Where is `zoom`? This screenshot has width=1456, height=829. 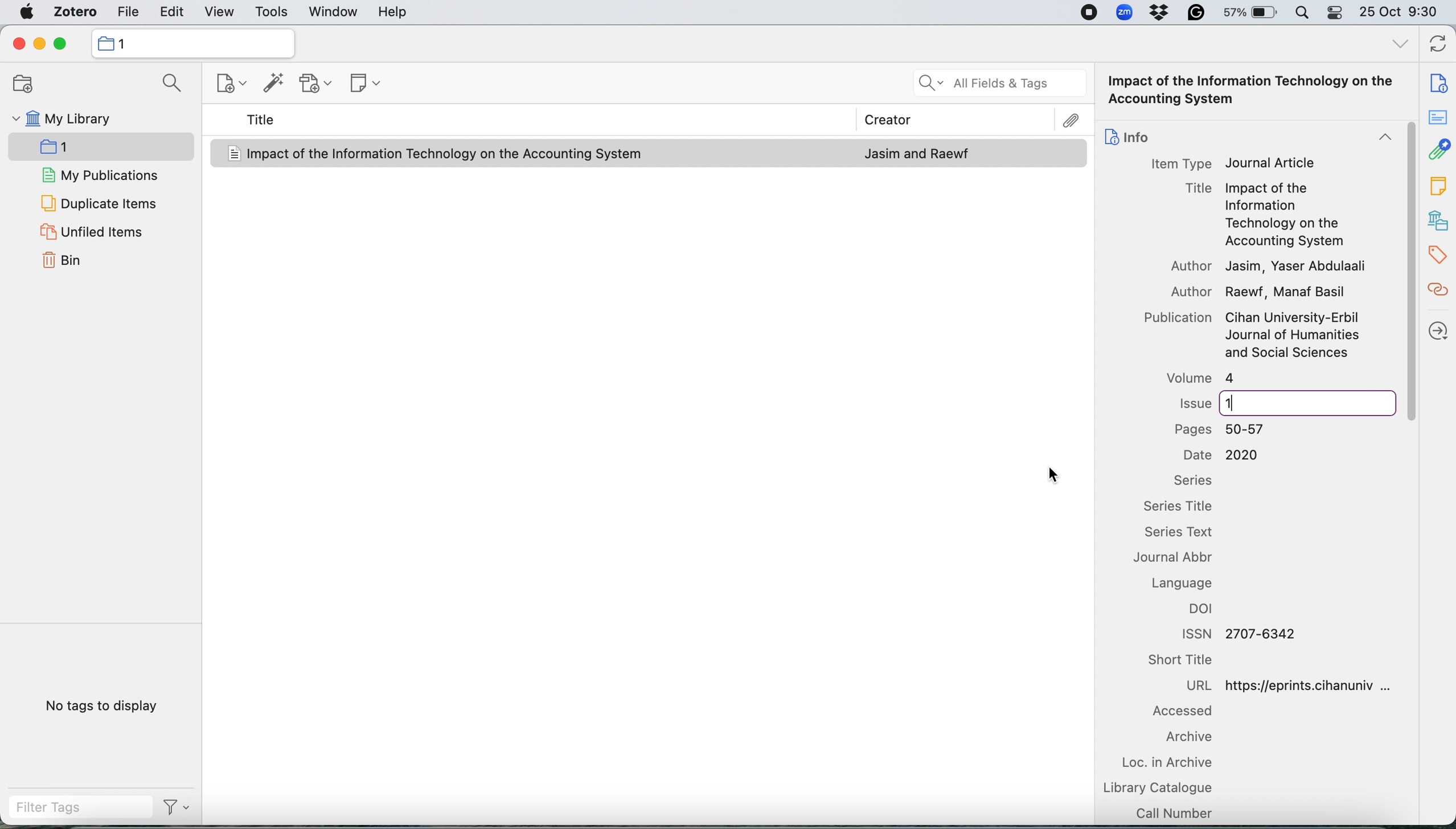 zoom is located at coordinates (1124, 12).